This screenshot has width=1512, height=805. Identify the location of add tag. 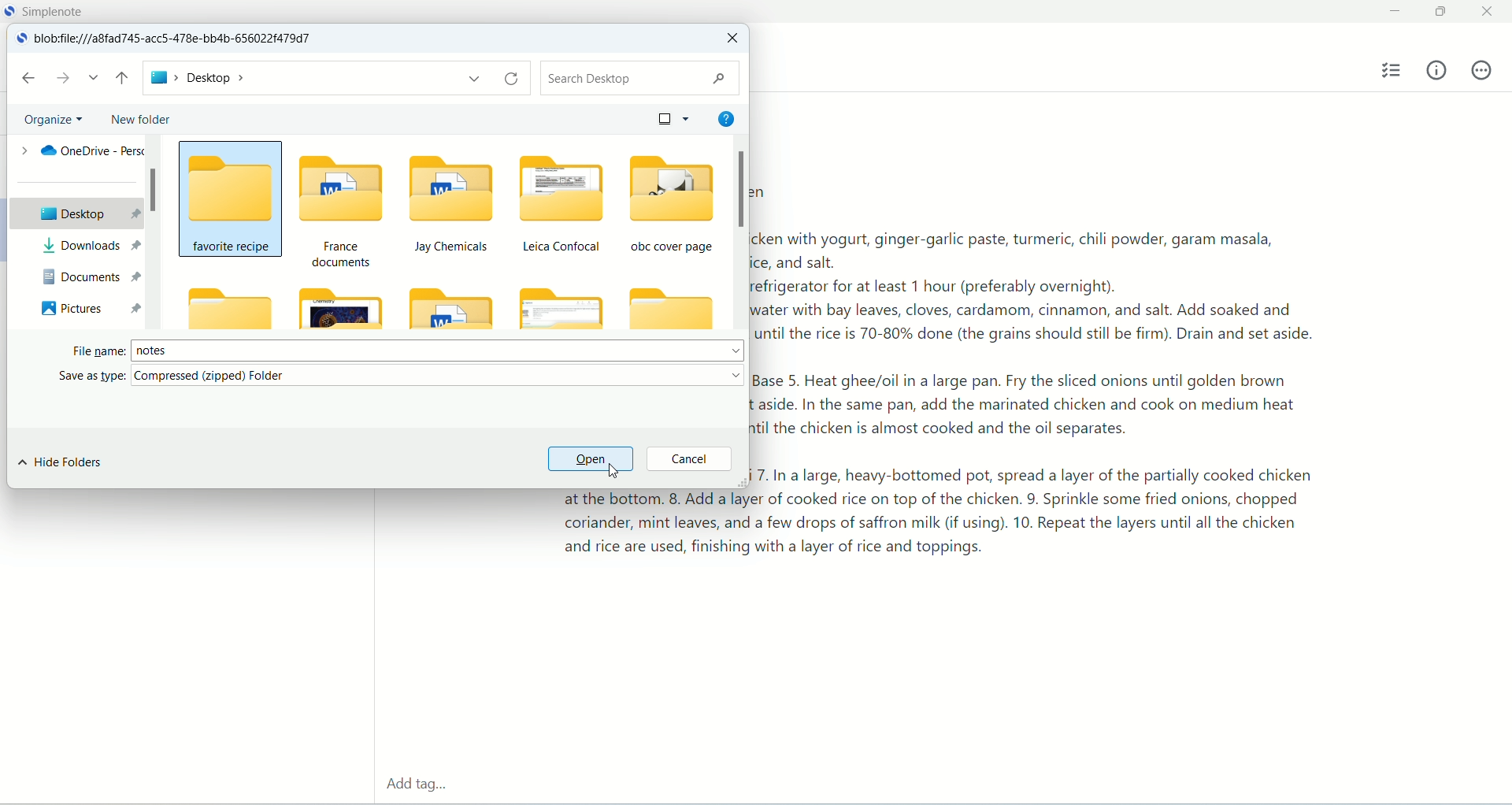
(414, 786).